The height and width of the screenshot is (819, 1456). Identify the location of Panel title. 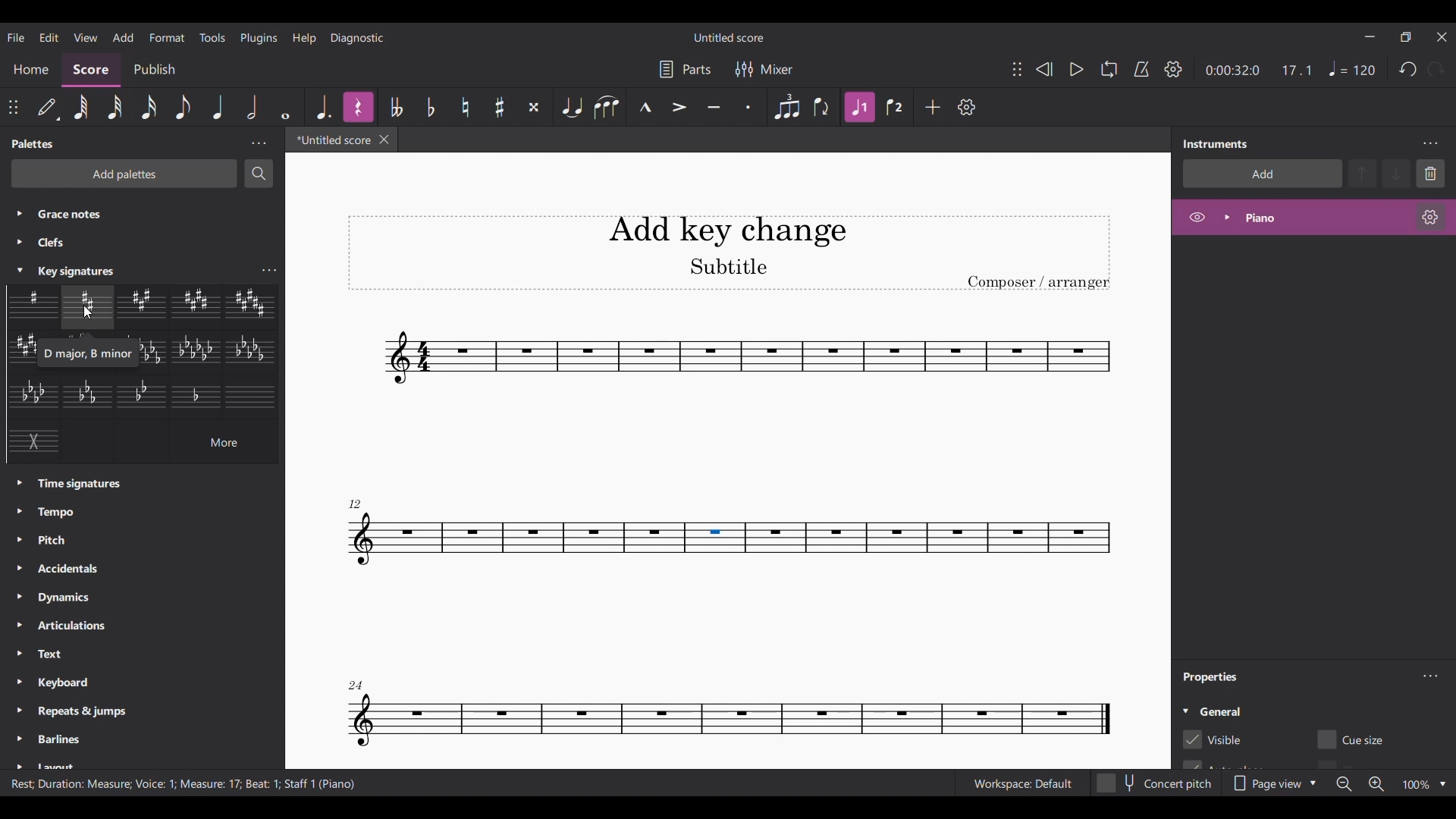
(1213, 677).